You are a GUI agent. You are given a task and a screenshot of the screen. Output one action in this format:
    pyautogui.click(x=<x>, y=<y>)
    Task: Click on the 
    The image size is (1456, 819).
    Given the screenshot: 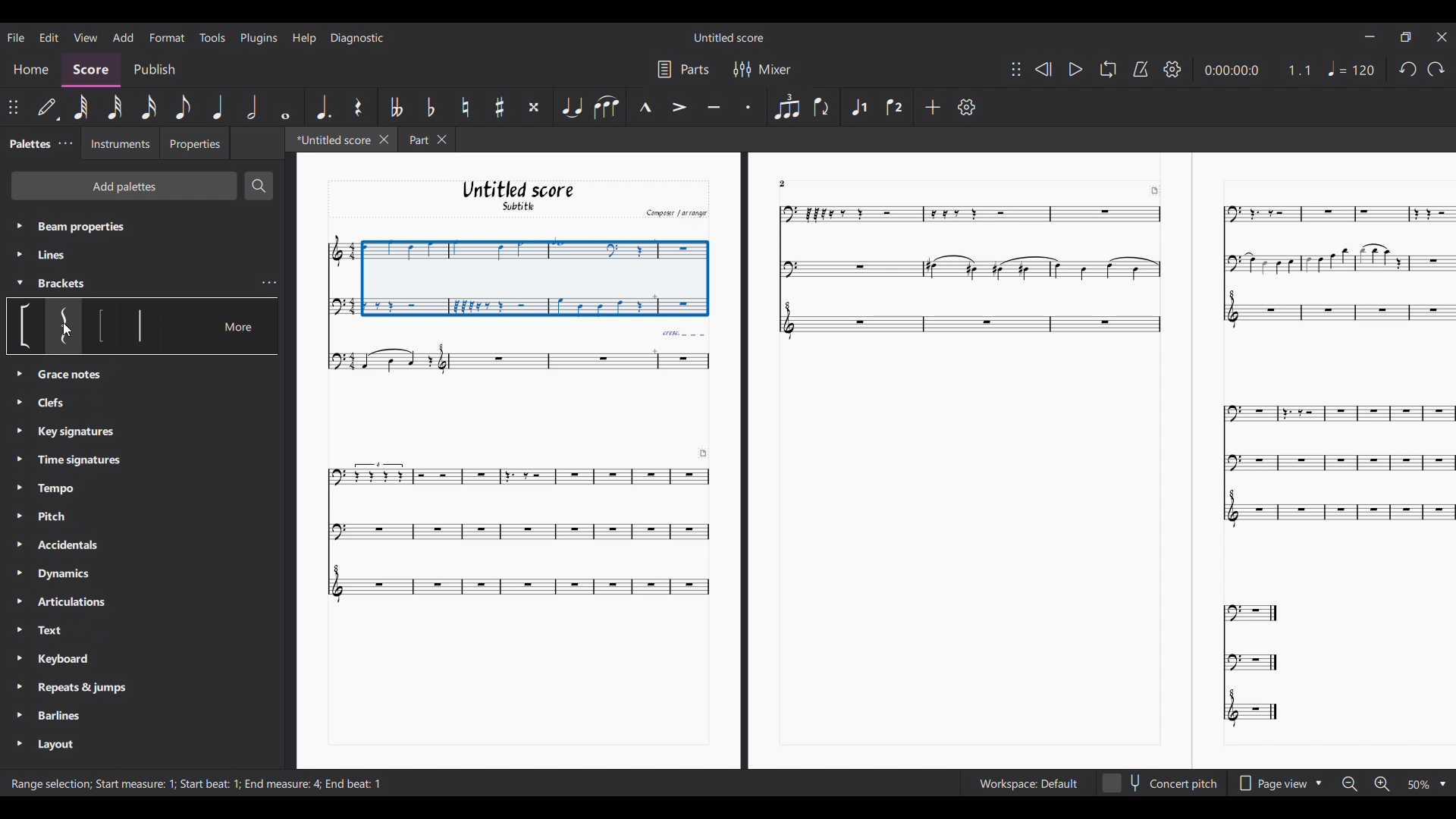 What is the action you would take?
    pyautogui.click(x=1337, y=511)
    